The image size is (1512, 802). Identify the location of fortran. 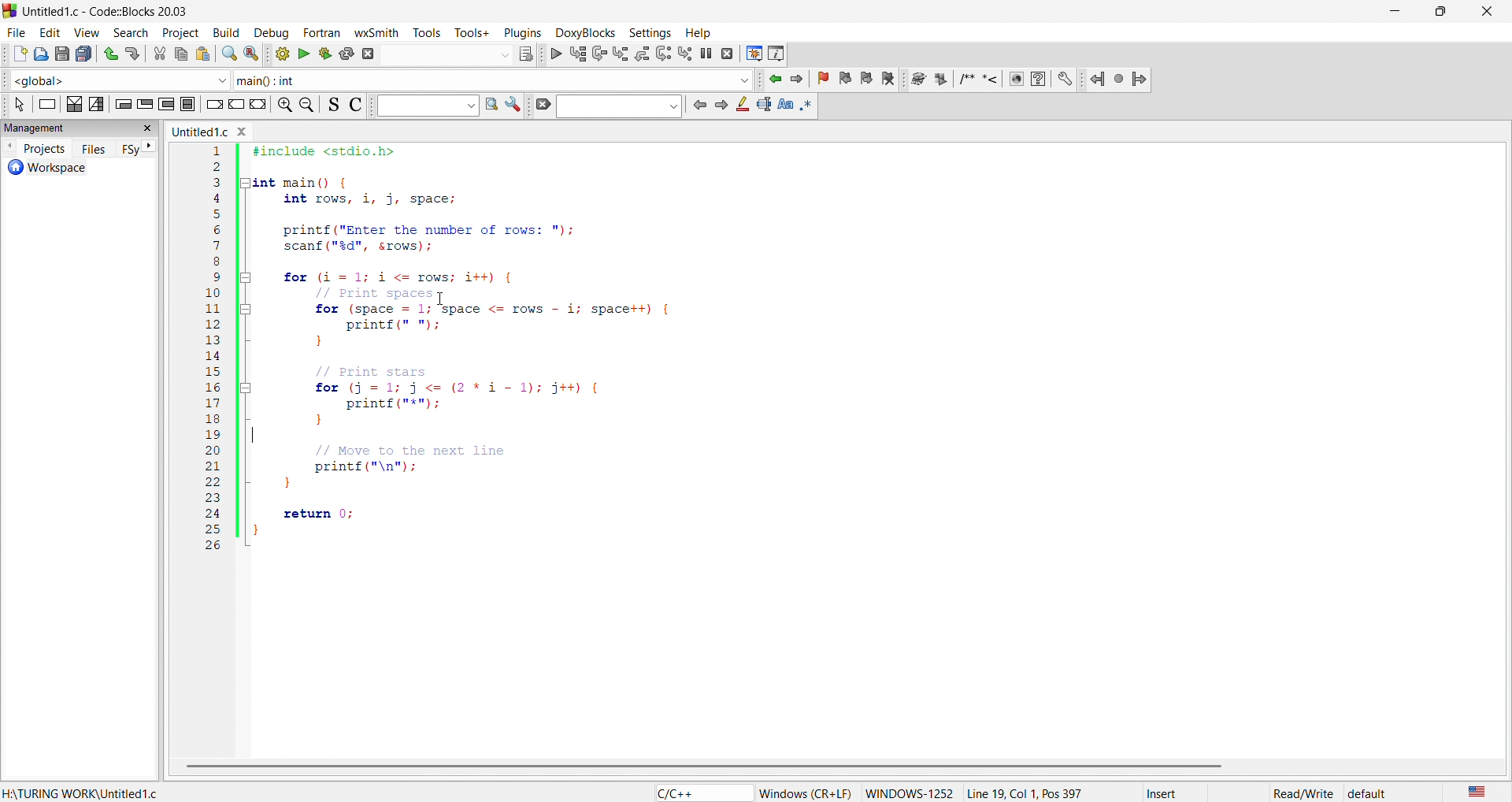
(319, 32).